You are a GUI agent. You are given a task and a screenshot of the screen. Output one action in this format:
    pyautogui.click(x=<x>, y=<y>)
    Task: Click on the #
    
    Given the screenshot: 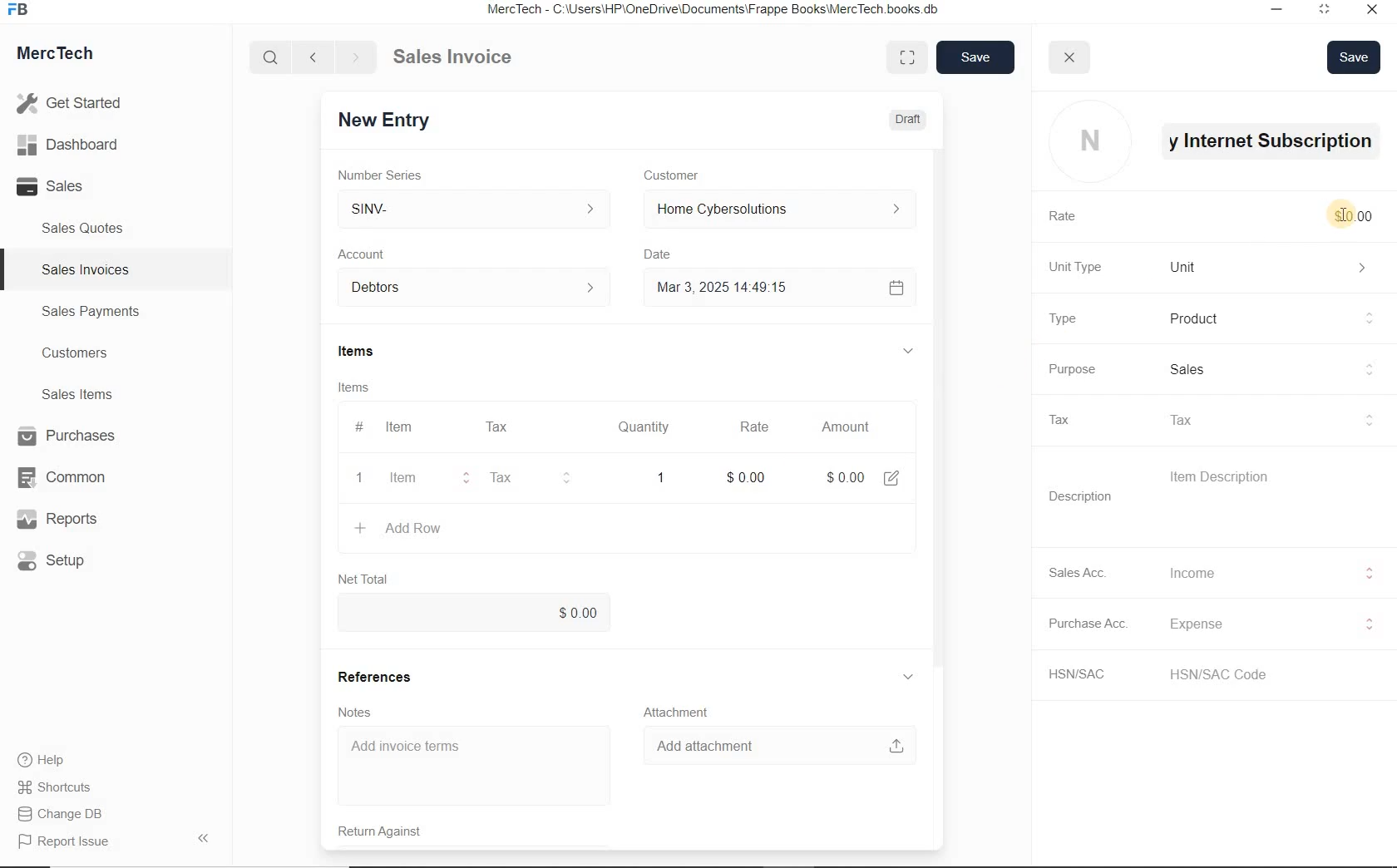 What is the action you would take?
    pyautogui.click(x=540, y=427)
    